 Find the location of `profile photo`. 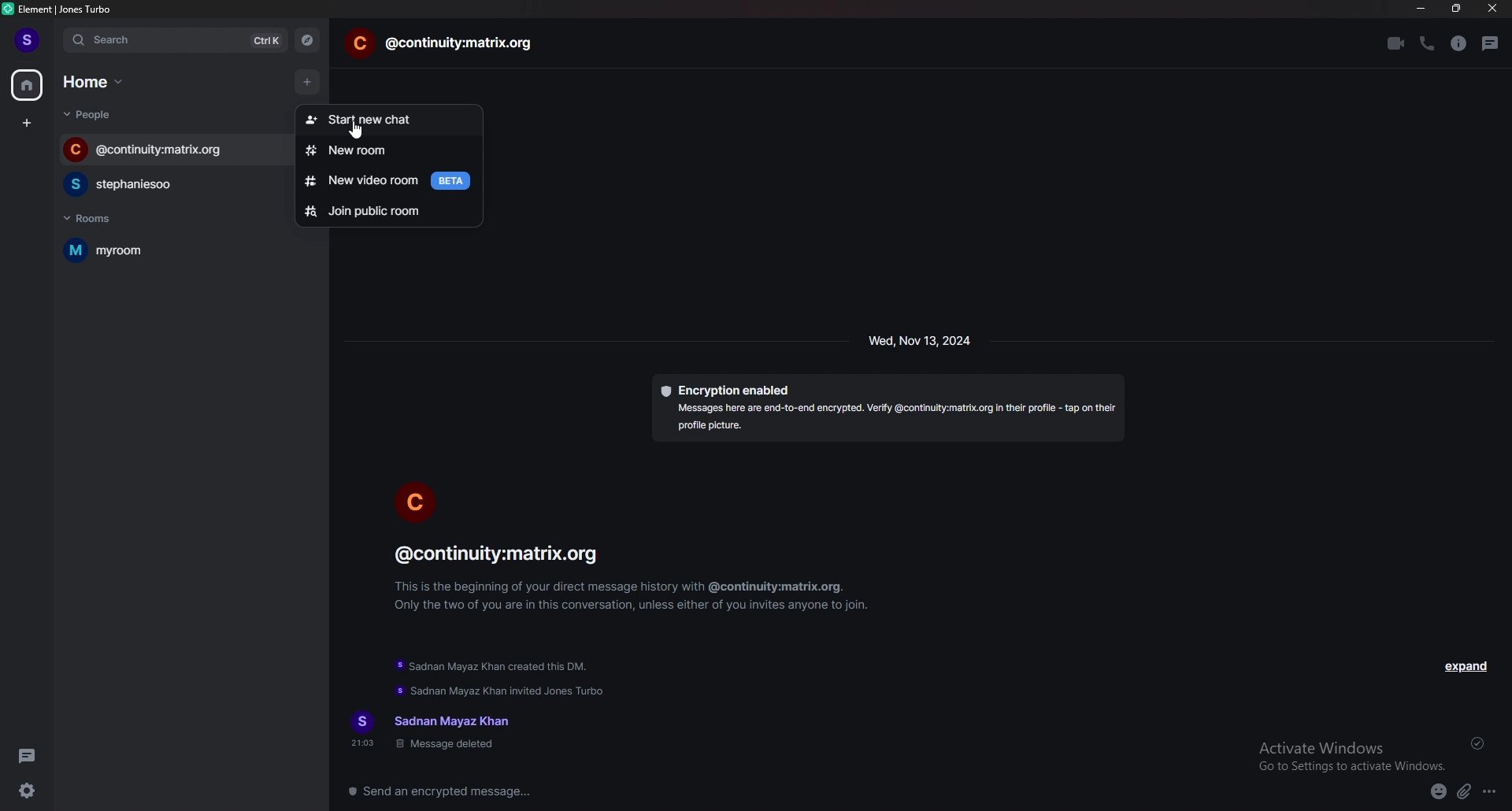

profile photo is located at coordinates (416, 500).